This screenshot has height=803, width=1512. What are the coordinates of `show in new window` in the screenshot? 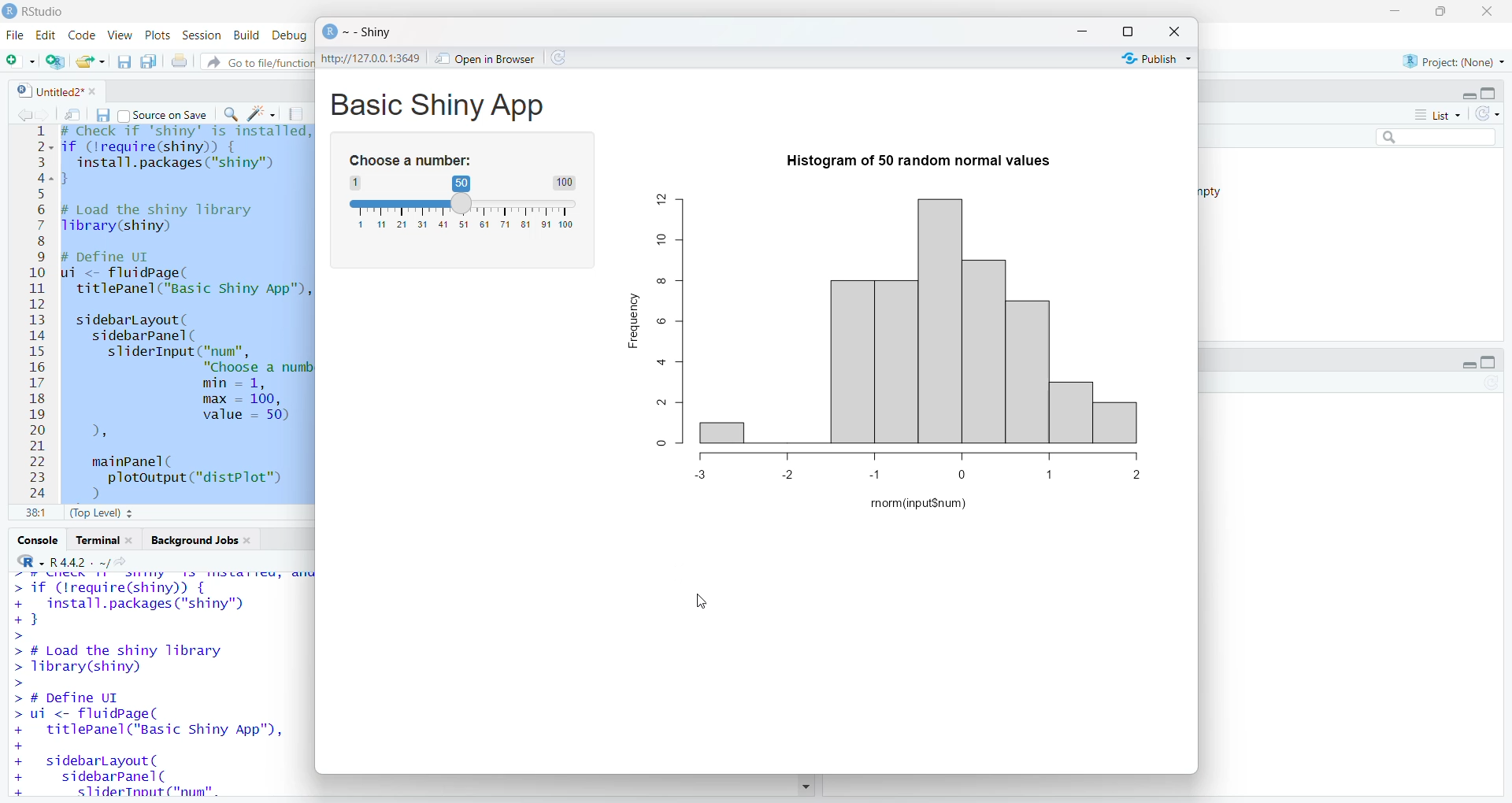 It's located at (72, 115).